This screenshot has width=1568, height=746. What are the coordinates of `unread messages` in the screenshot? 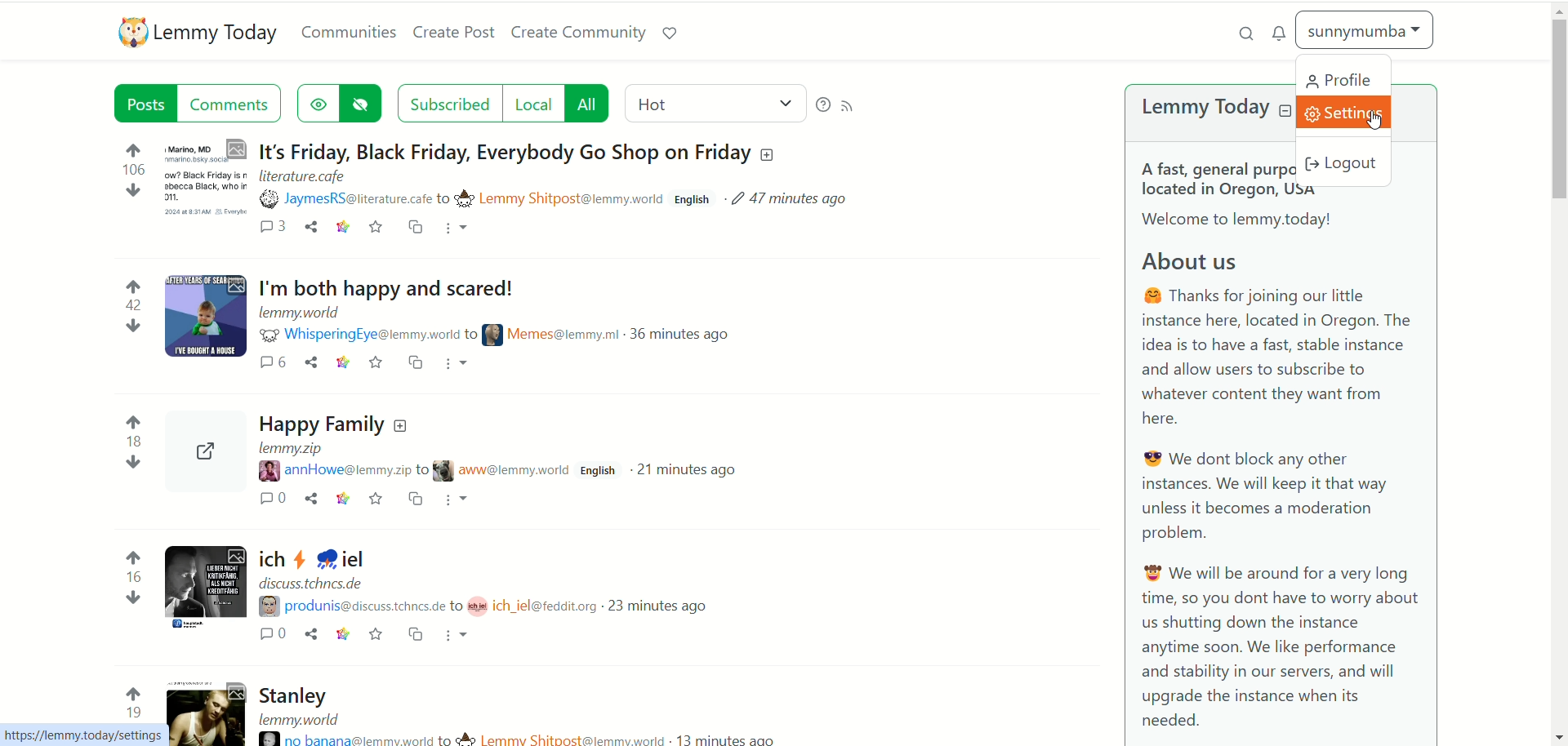 It's located at (1280, 33).